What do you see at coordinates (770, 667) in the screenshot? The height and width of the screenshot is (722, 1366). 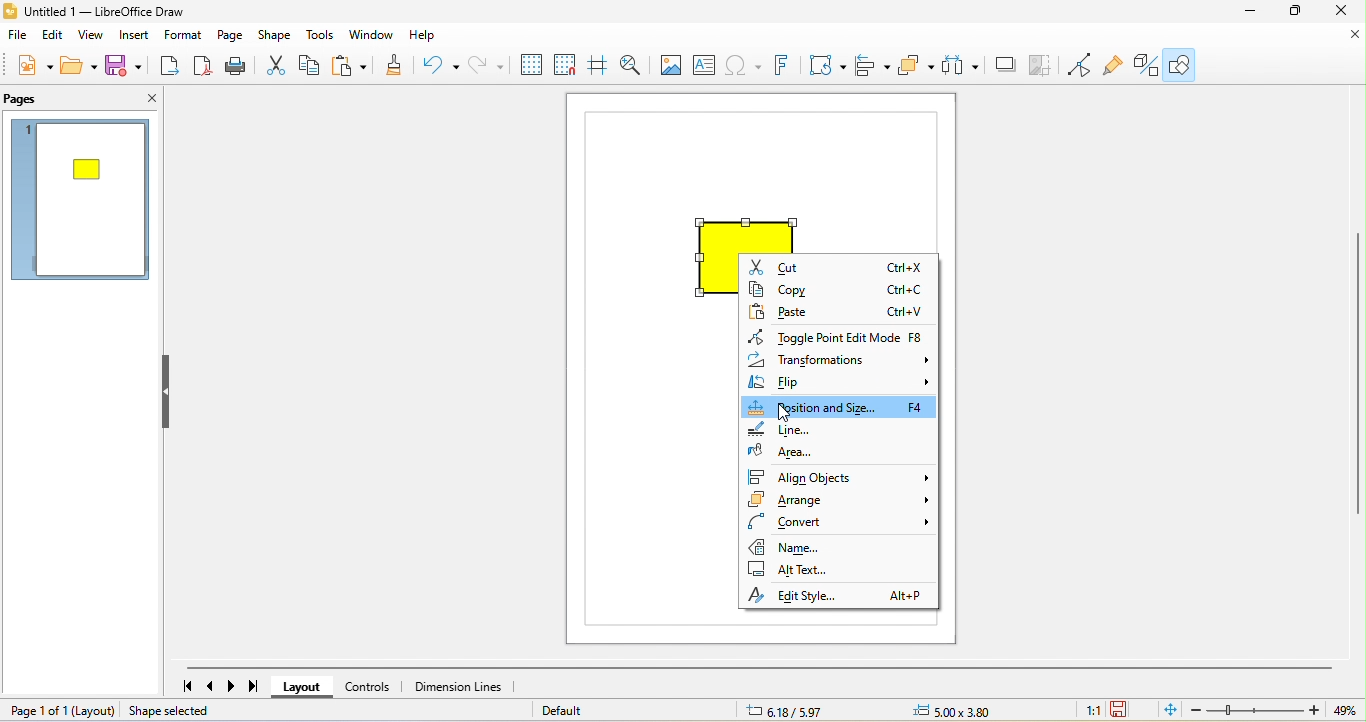 I see `horizontal scroll bar` at bounding box center [770, 667].